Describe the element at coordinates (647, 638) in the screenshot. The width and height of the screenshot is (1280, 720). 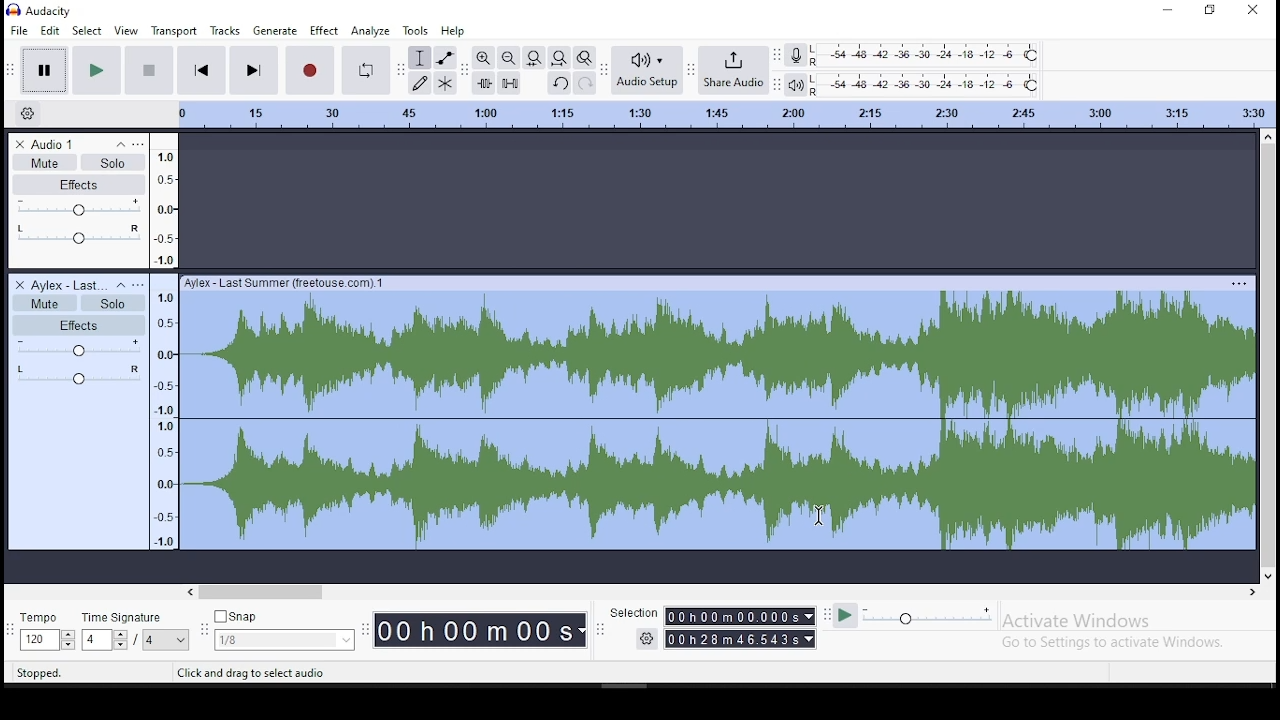
I see `settings` at that location.